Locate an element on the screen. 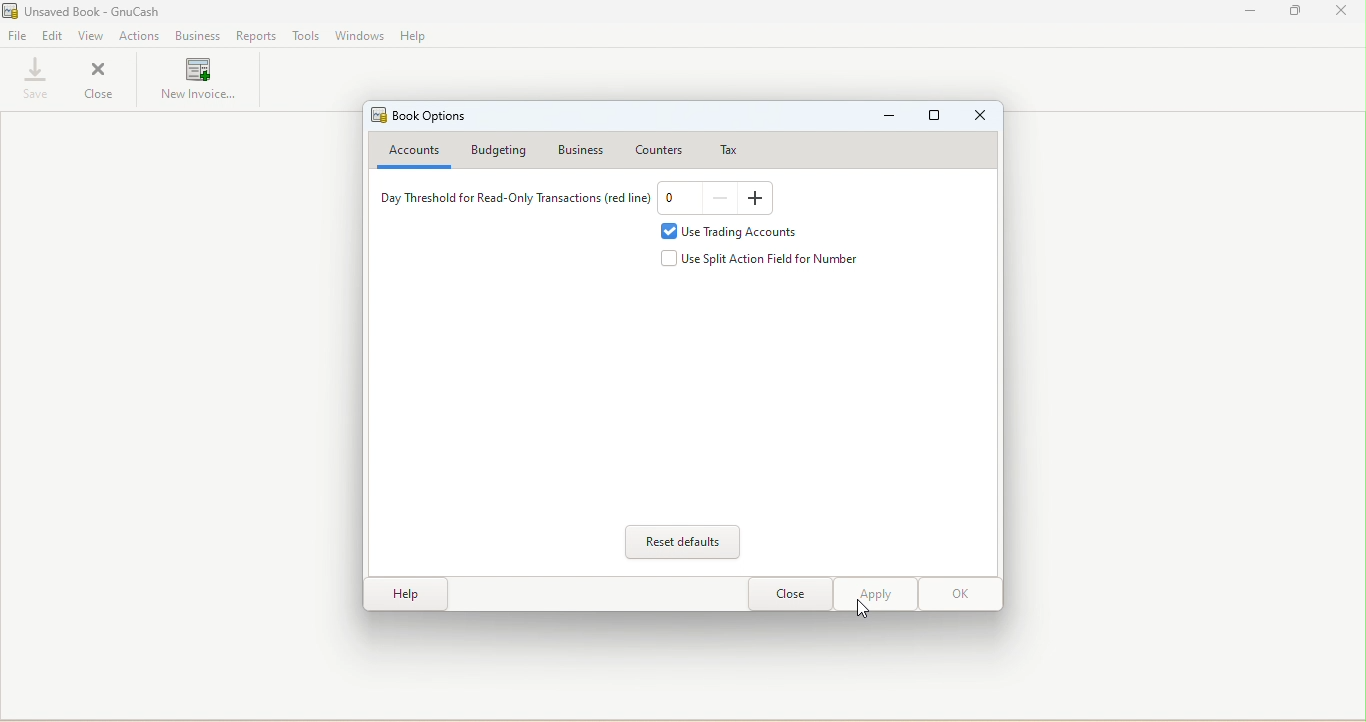  View is located at coordinates (93, 36).